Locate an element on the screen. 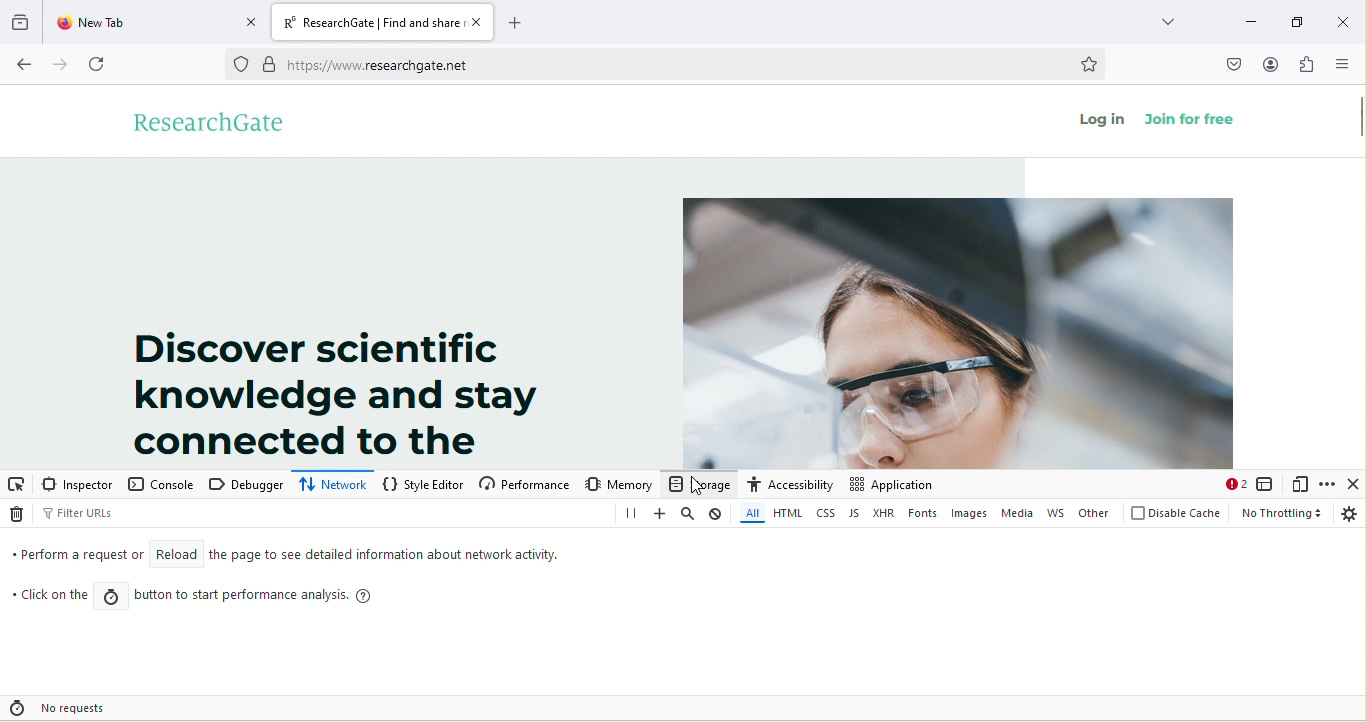  add is located at coordinates (514, 24).